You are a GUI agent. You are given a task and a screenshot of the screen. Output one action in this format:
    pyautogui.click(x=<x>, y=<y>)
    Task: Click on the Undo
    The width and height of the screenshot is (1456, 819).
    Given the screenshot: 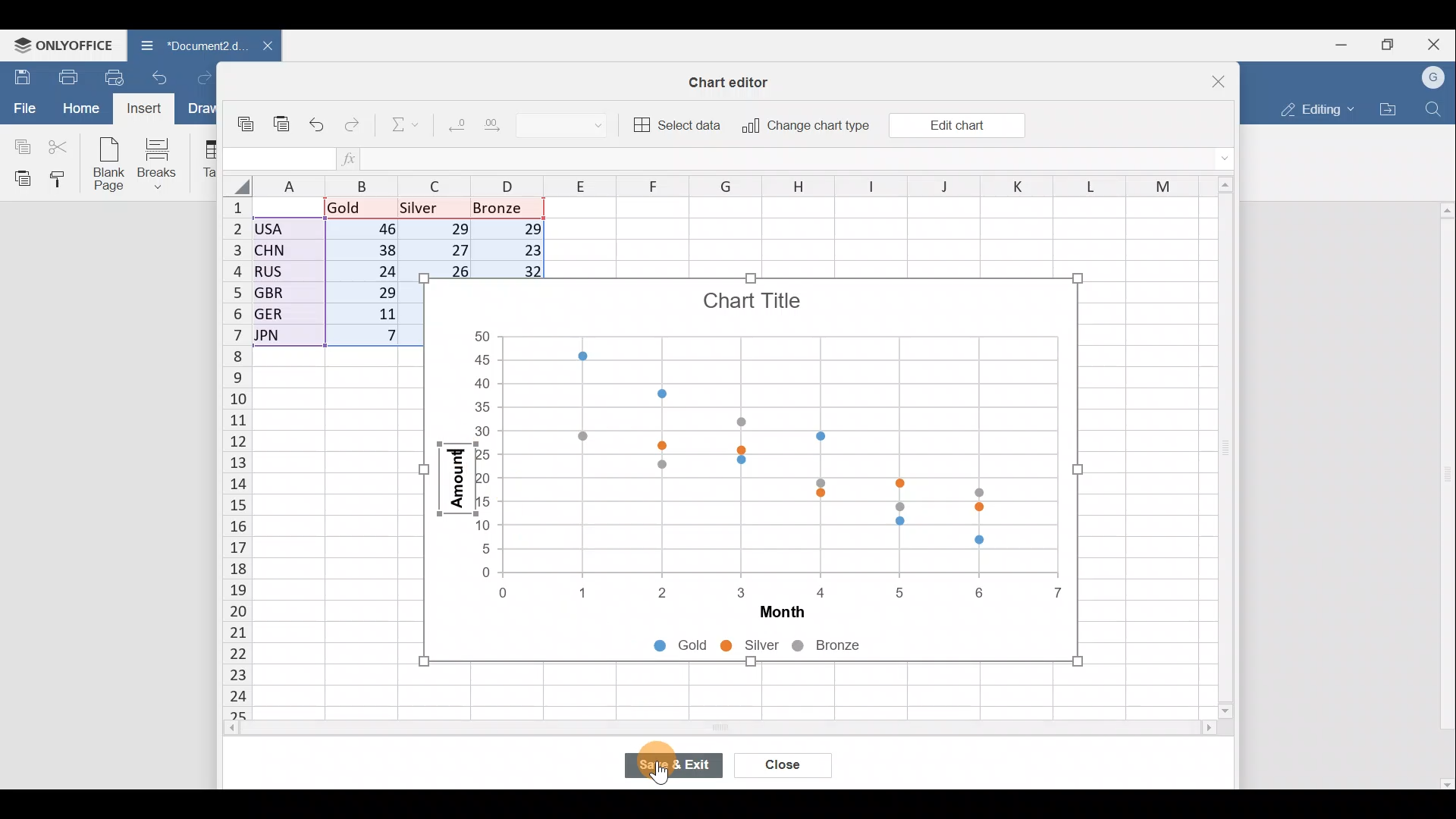 What is the action you would take?
    pyautogui.click(x=165, y=76)
    